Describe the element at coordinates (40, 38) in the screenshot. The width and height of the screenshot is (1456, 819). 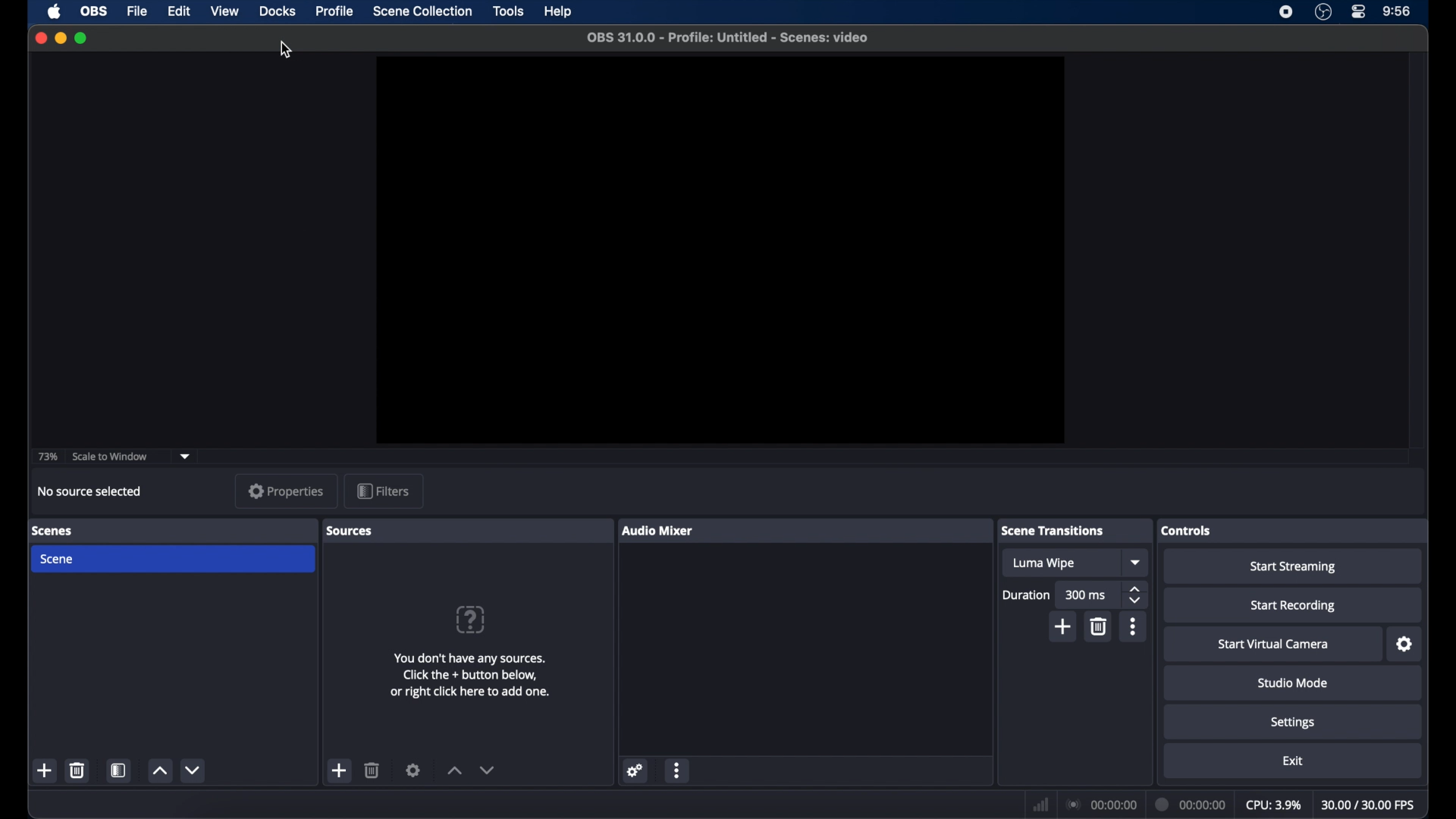
I see `close` at that location.